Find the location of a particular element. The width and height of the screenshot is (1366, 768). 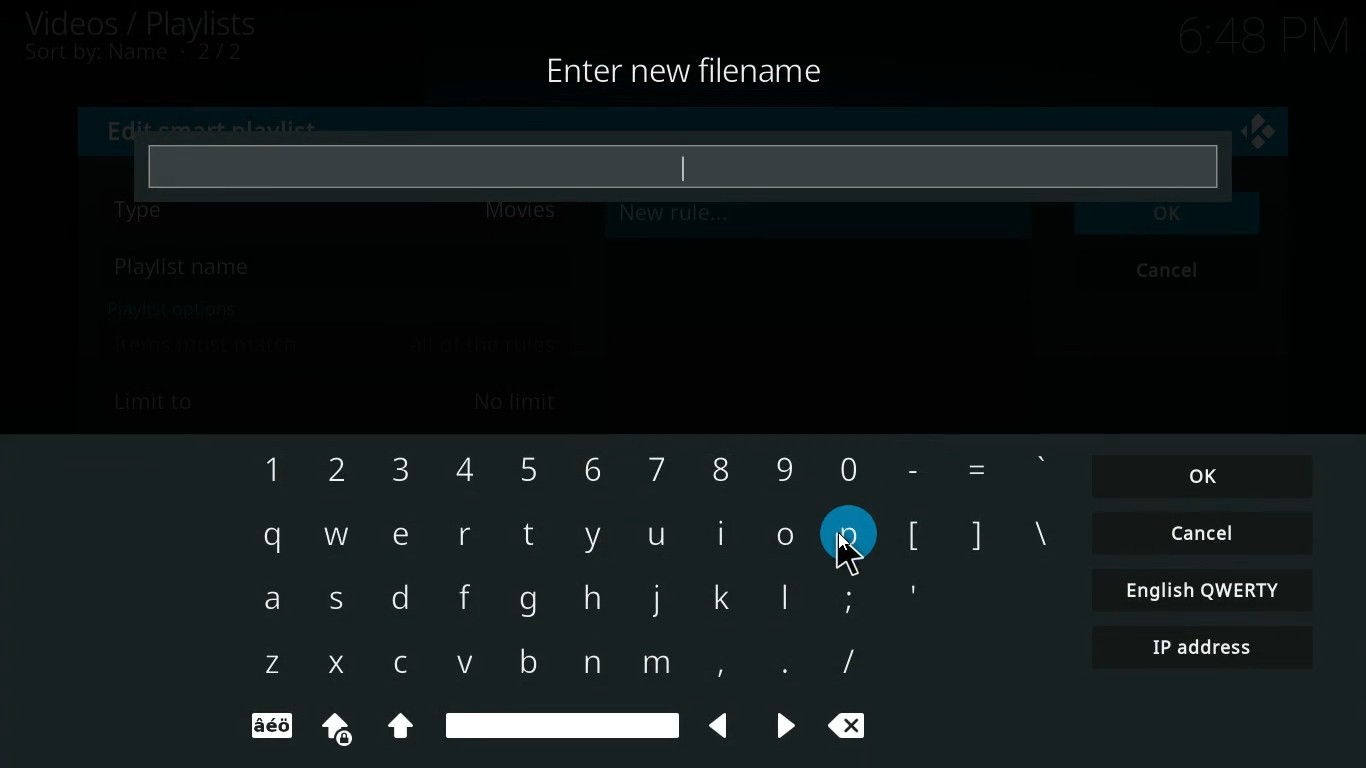

c is located at coordinates (406, 664).